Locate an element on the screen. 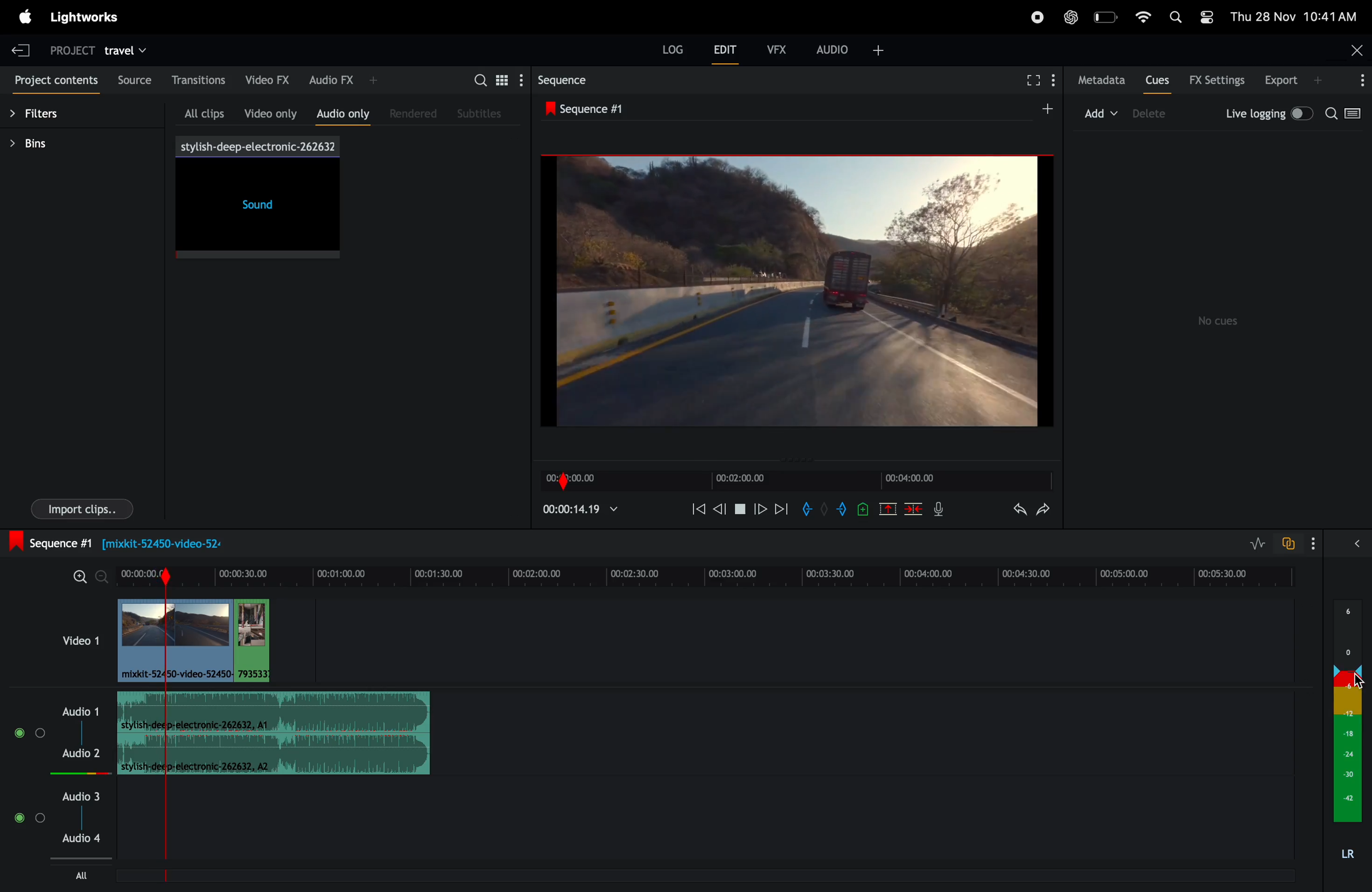 This screenshot has width=1372, height=892. add out mark is located at coordinates (839, 511).